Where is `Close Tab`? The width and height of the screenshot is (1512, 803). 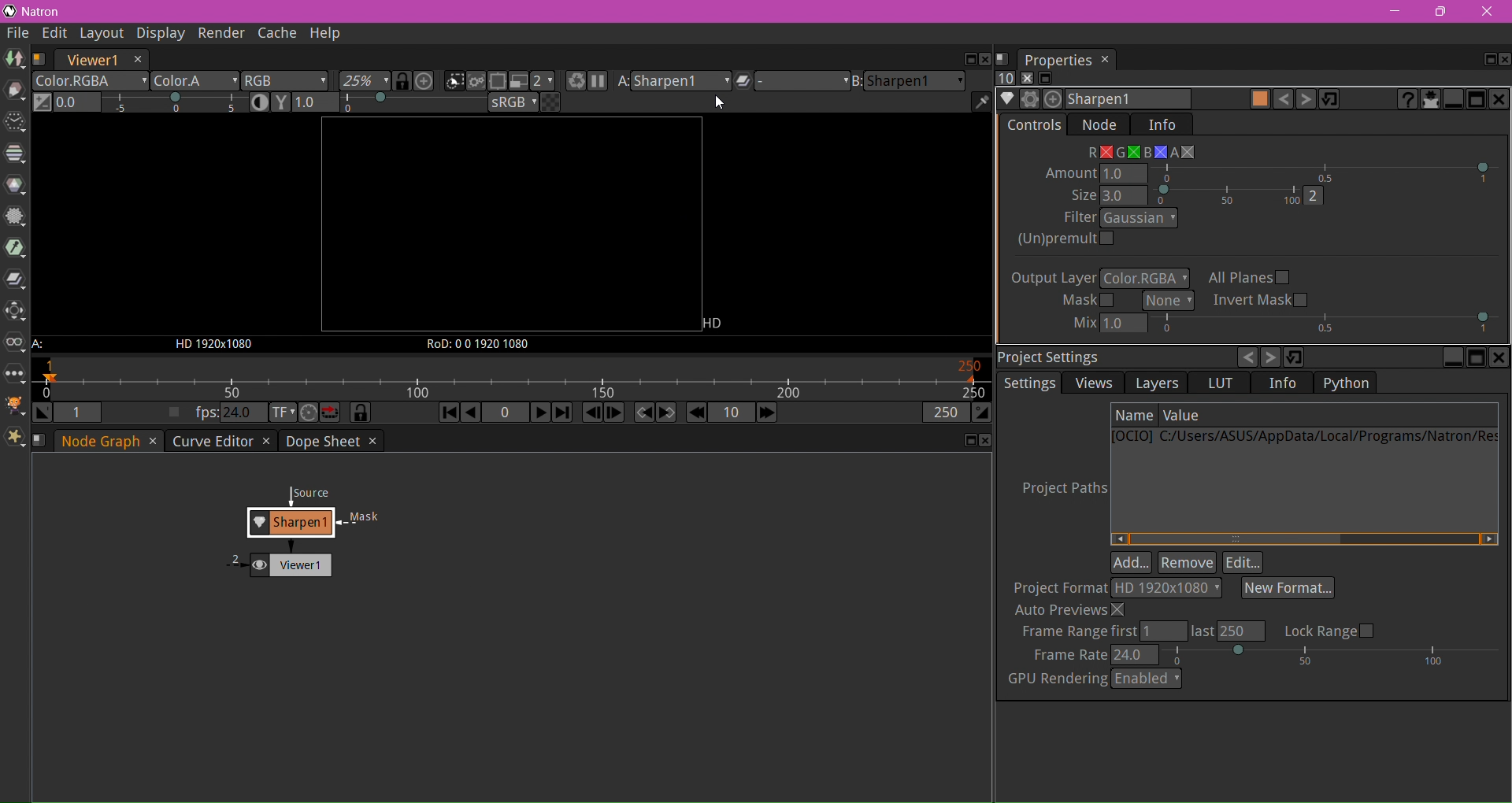 Close Tab is located at coordinates (152, 442).